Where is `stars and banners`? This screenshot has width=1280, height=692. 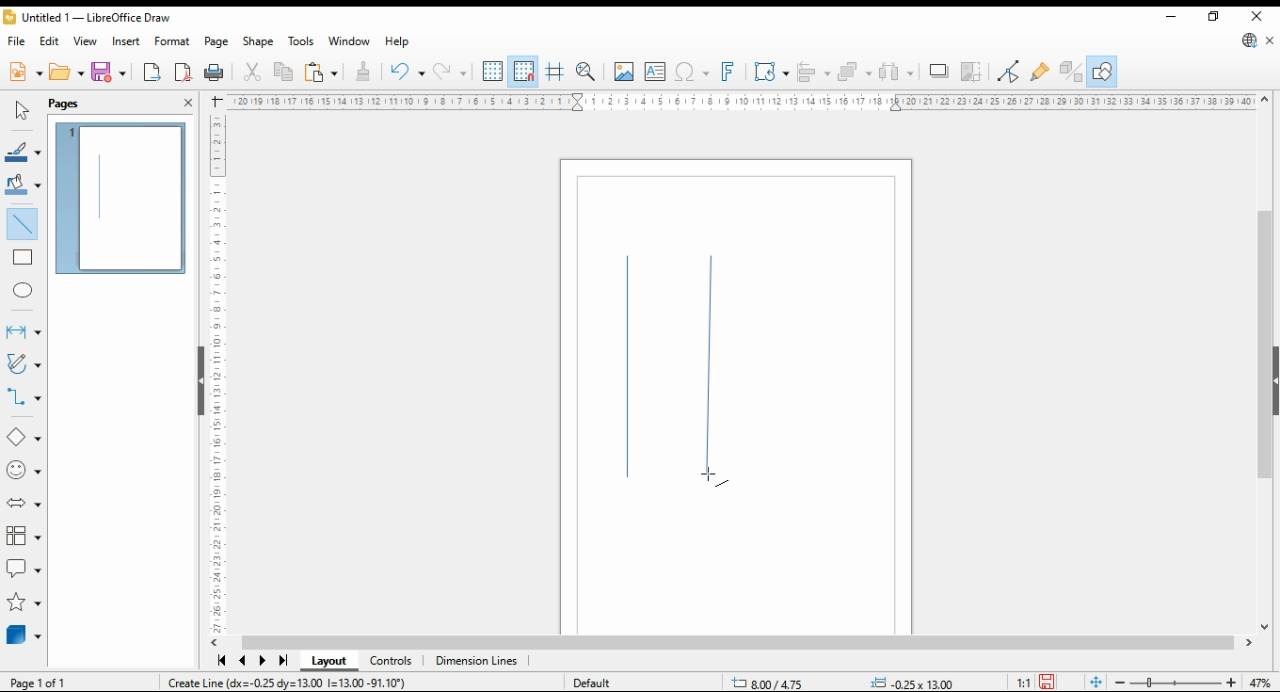 stars and banners is located at coordinates (23, 604).